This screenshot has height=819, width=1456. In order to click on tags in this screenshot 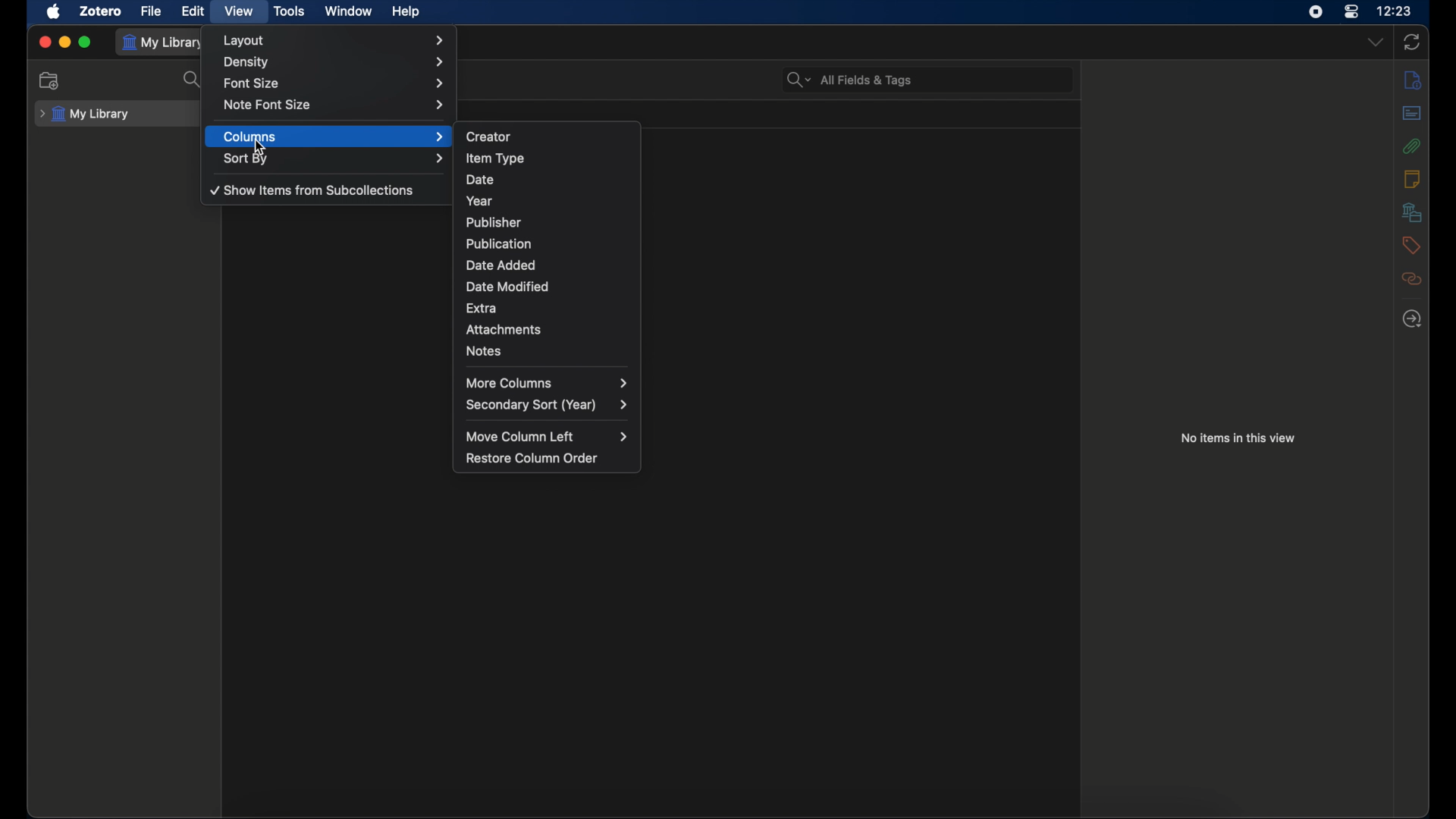, I will do `click(1410, 245)`.